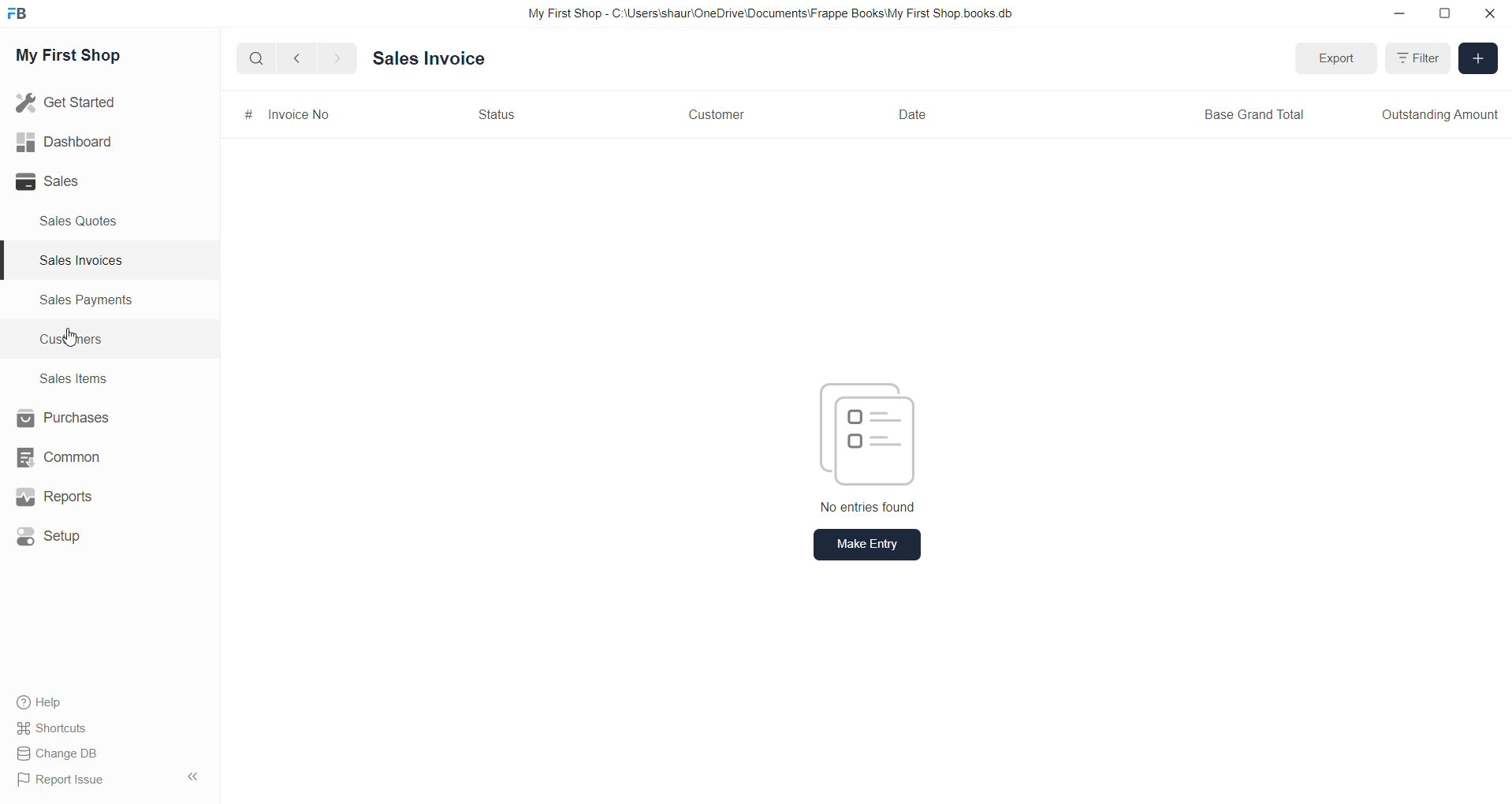 Image resolution: width=1512 pixels, height=804 pixels. I want to click on hide sidebar, so click(188, 778).